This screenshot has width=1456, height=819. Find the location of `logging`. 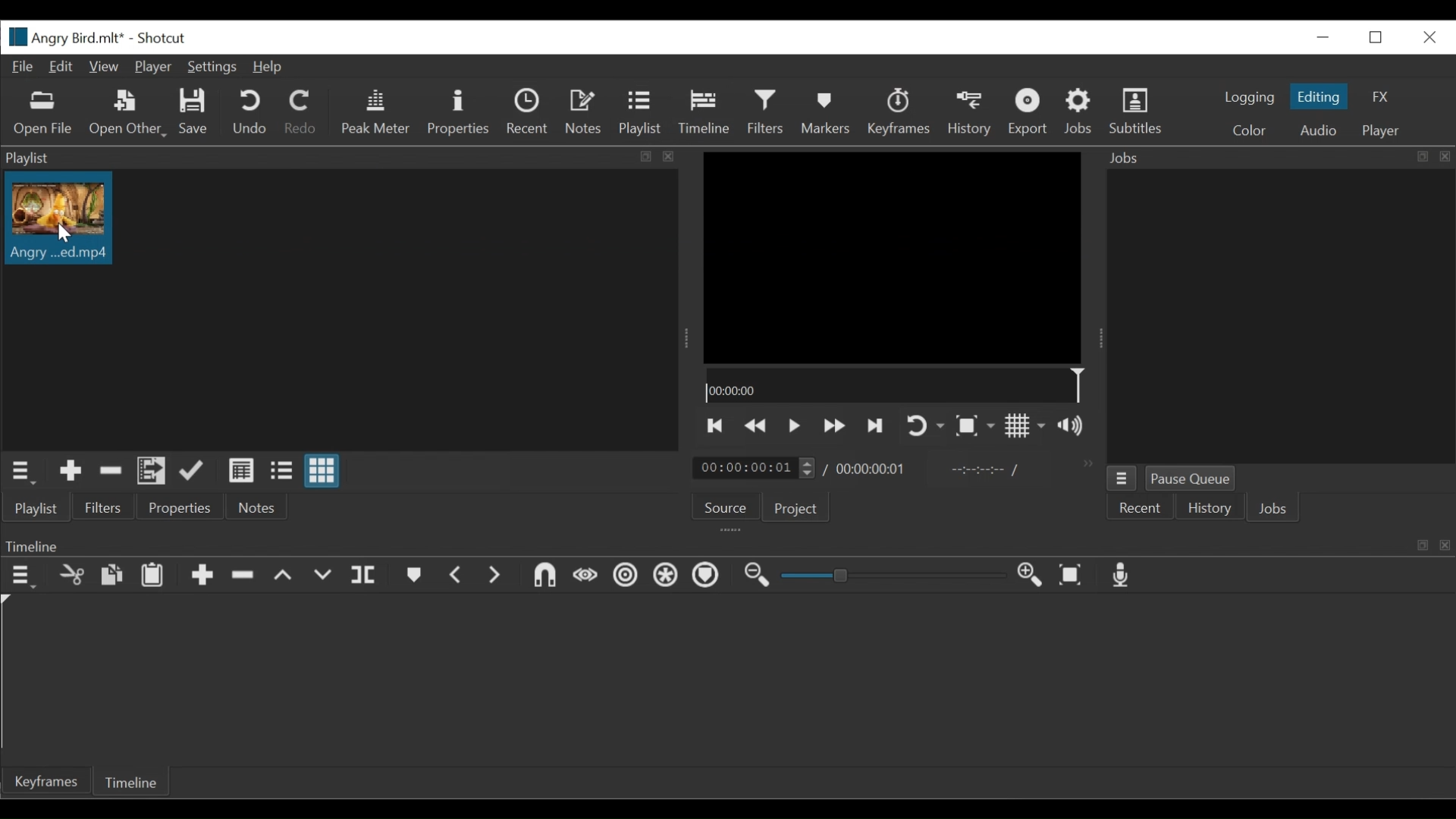

logging is located at coordinates (1247, 99).